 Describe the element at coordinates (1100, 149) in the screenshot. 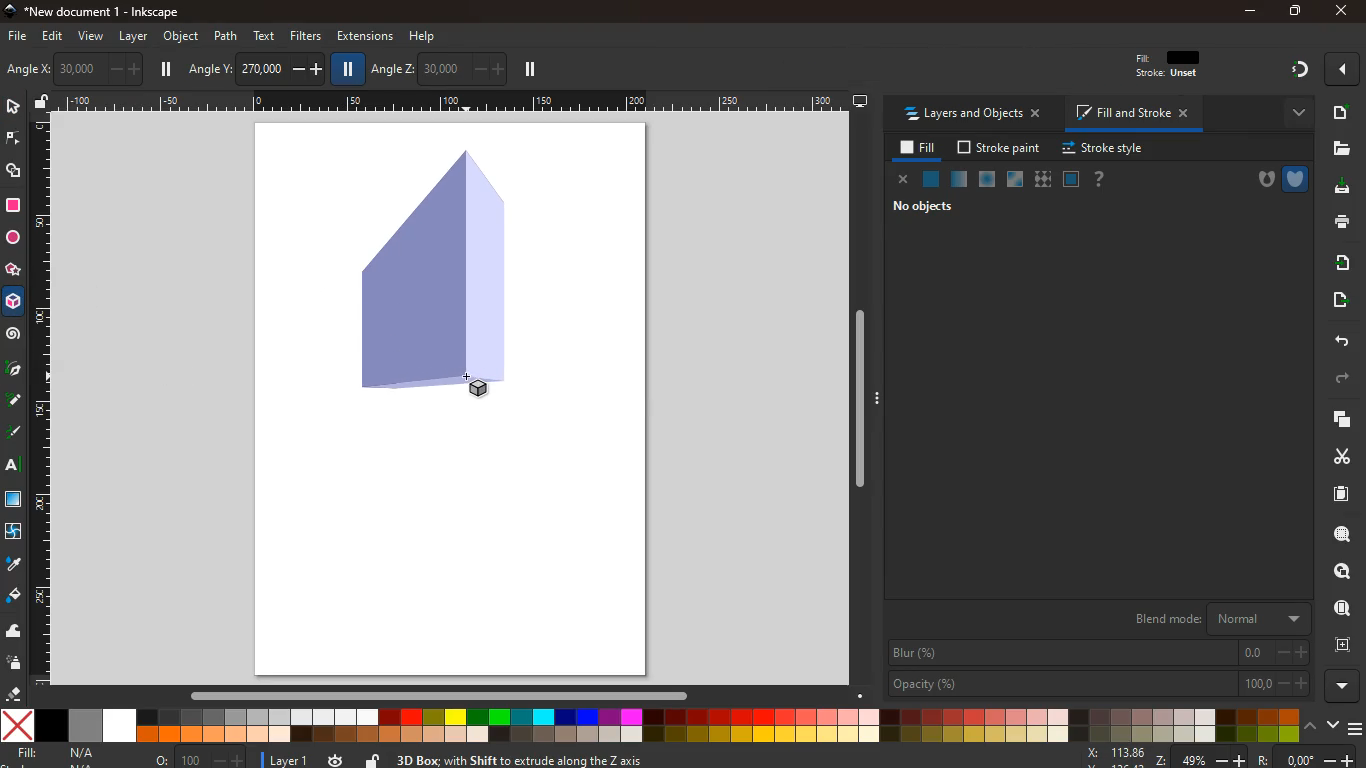

I see `stroke style` at that location.